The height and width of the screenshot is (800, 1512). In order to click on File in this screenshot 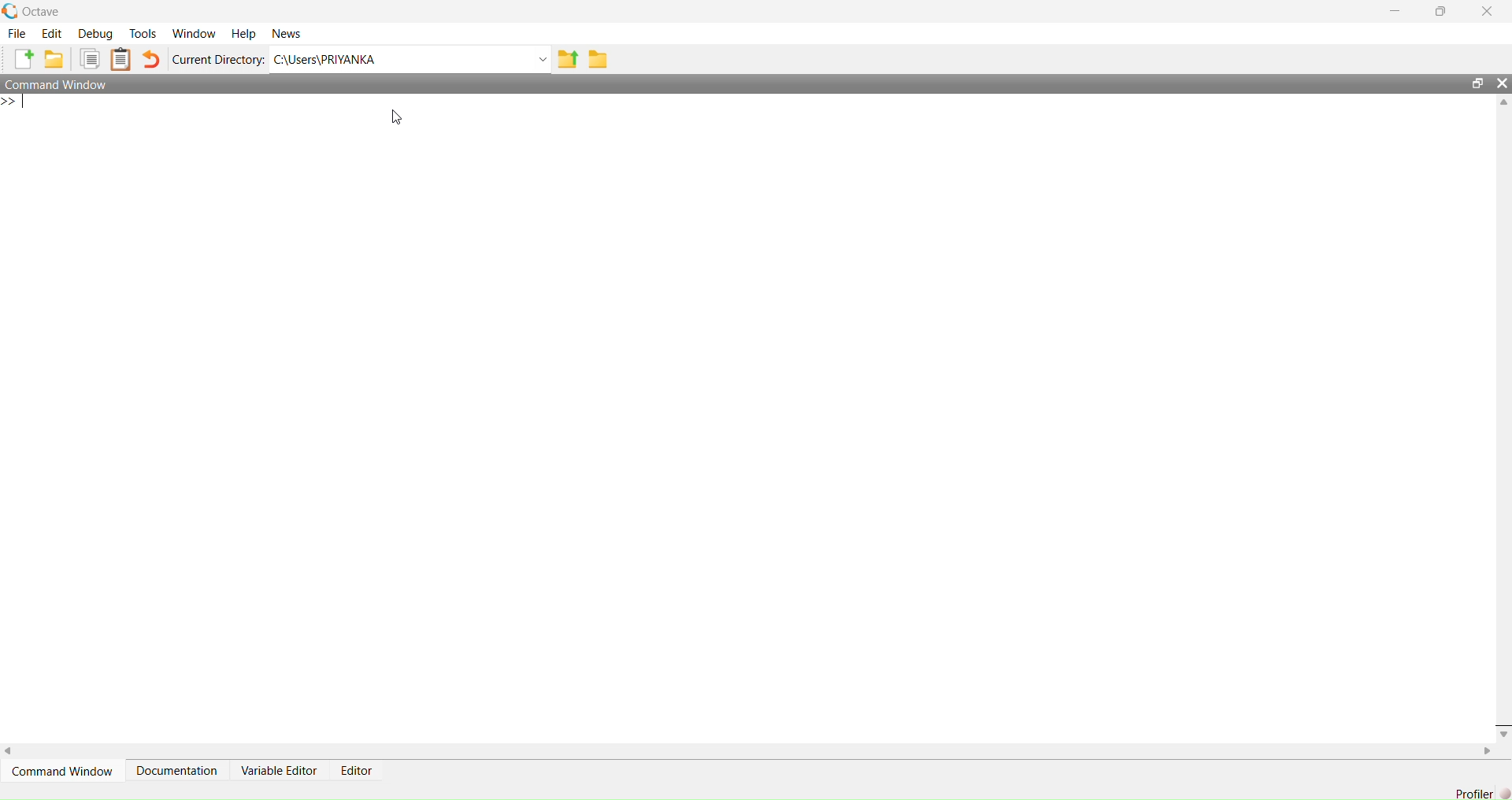, I will do `click(18, 34)`.